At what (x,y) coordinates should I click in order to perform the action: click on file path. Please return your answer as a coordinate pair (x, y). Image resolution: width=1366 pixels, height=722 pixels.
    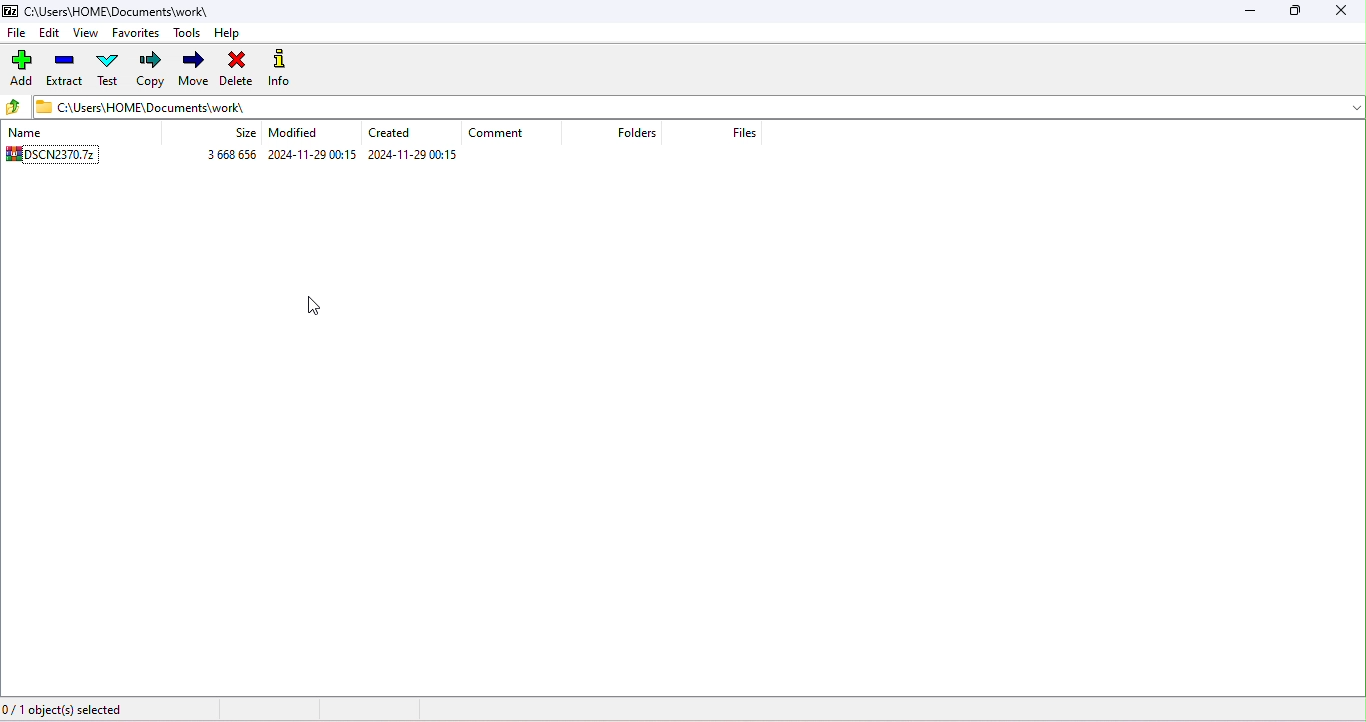
    Looking at the image, I should click on (164, 109).